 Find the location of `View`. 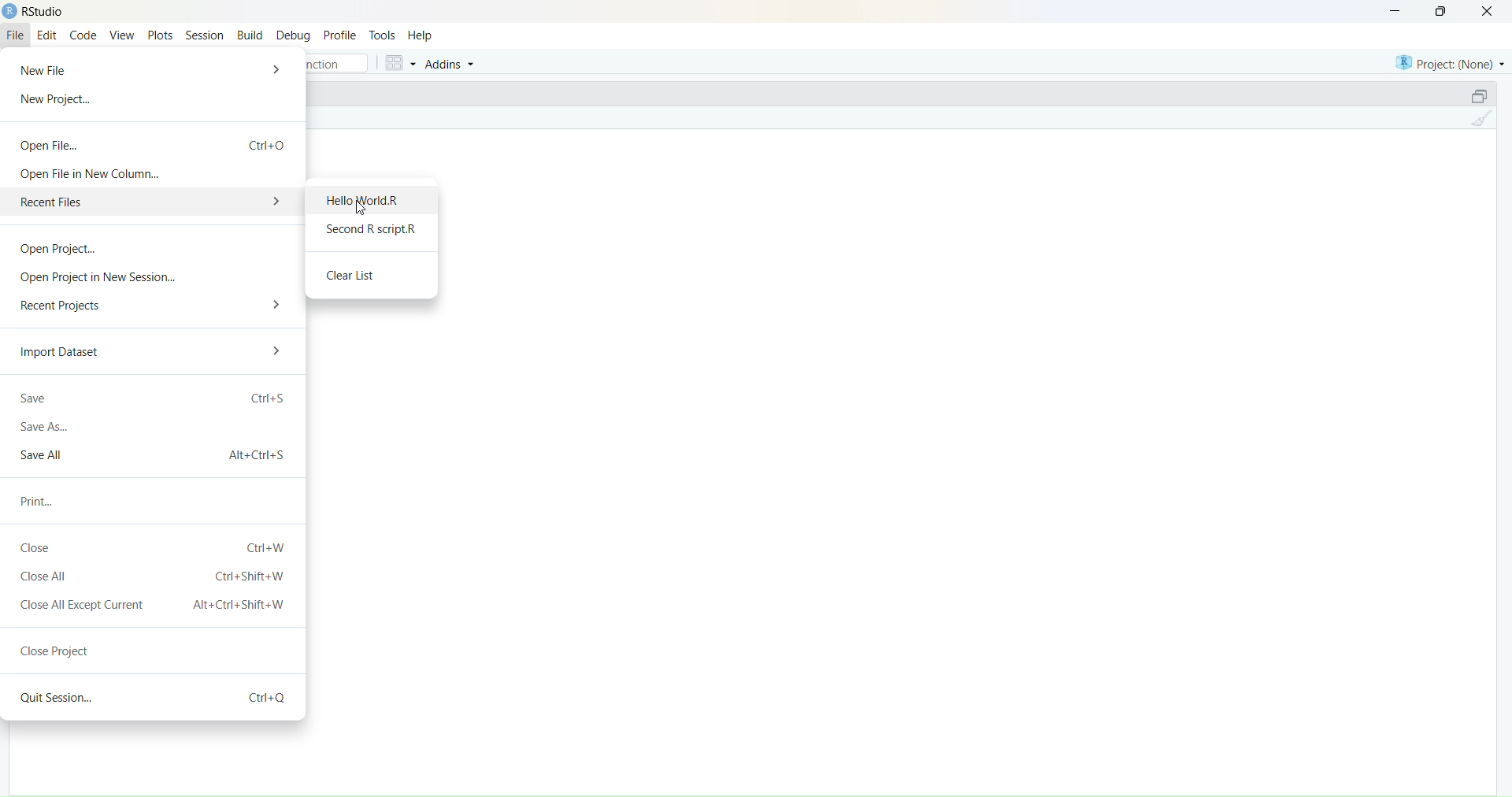

View is located at coordinates (122, 36).